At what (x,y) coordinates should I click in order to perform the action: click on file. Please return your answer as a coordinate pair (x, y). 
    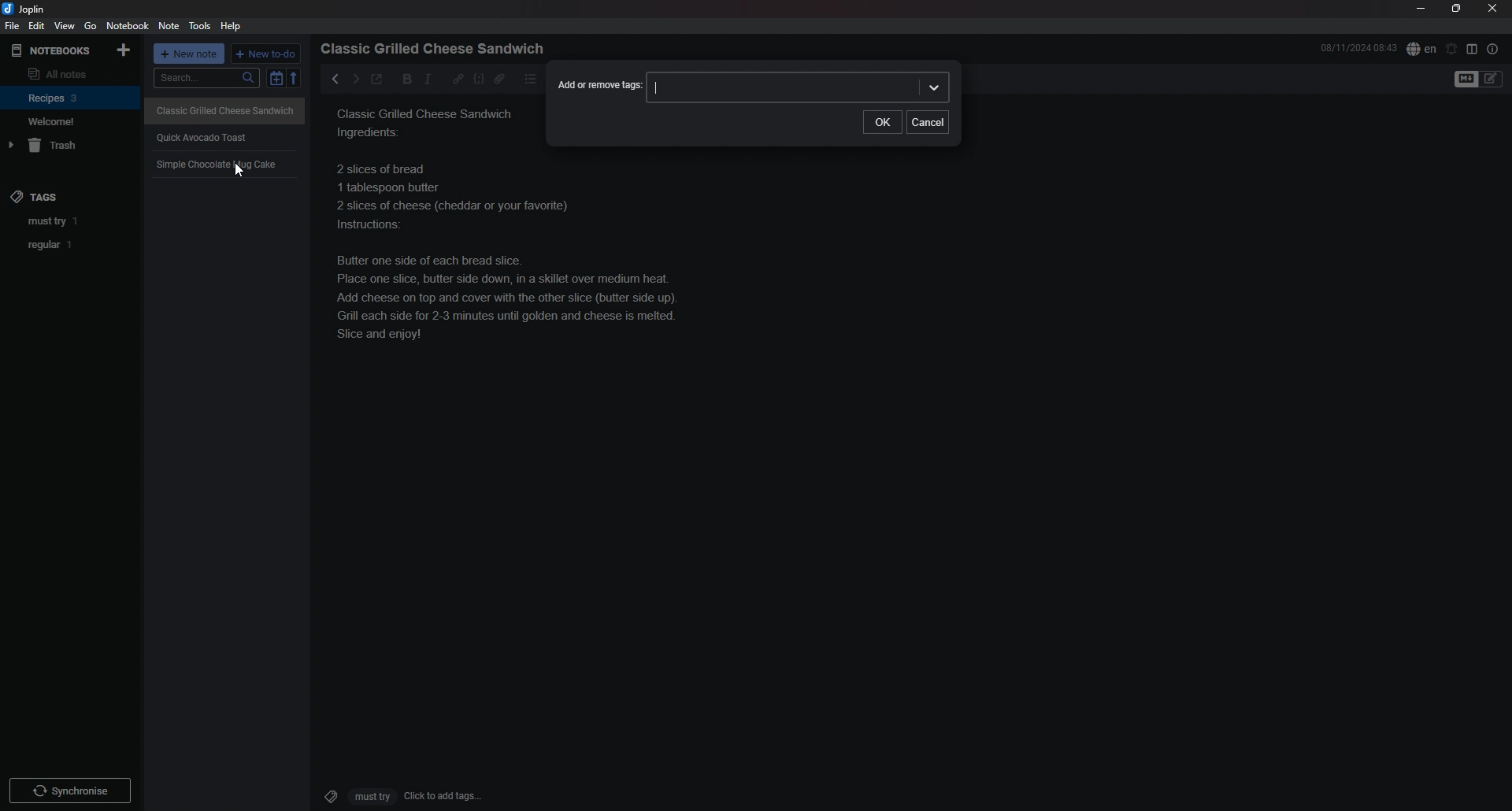
    Looking at the image, I should click on (11, 27).